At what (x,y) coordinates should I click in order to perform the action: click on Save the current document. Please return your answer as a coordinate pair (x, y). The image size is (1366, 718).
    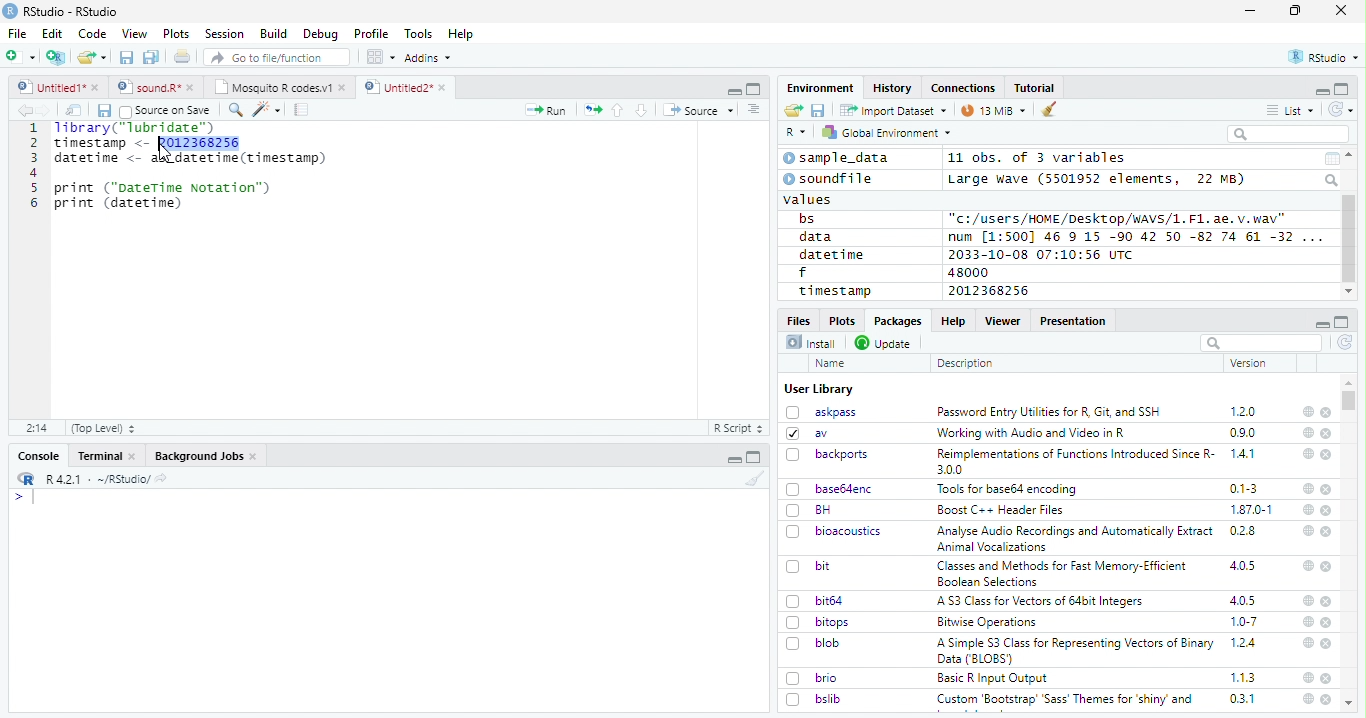
    Looking at the image, I should click on (127, 58).